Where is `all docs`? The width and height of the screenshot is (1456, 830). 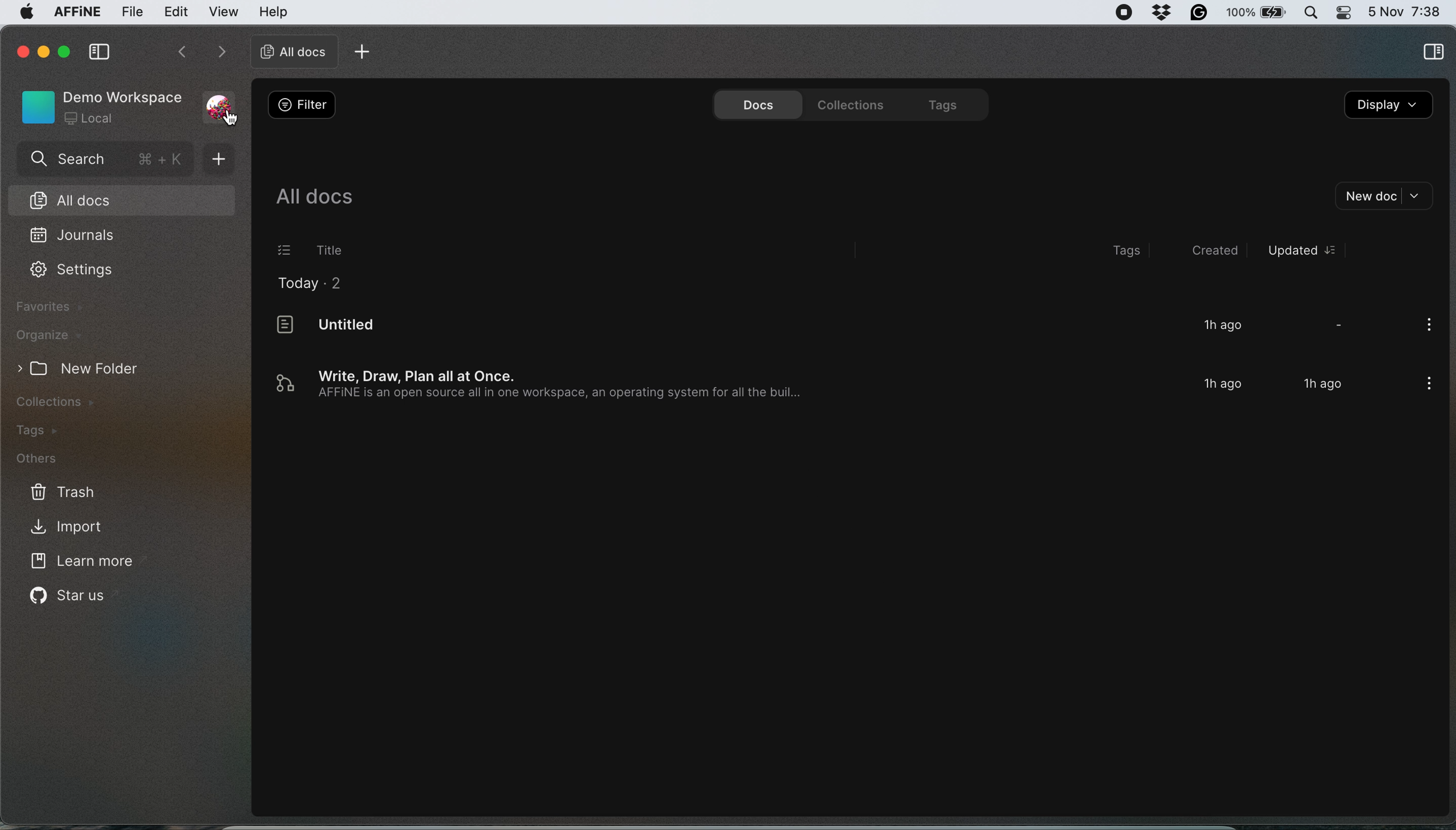 all docs is located at coordinates (116, 199).